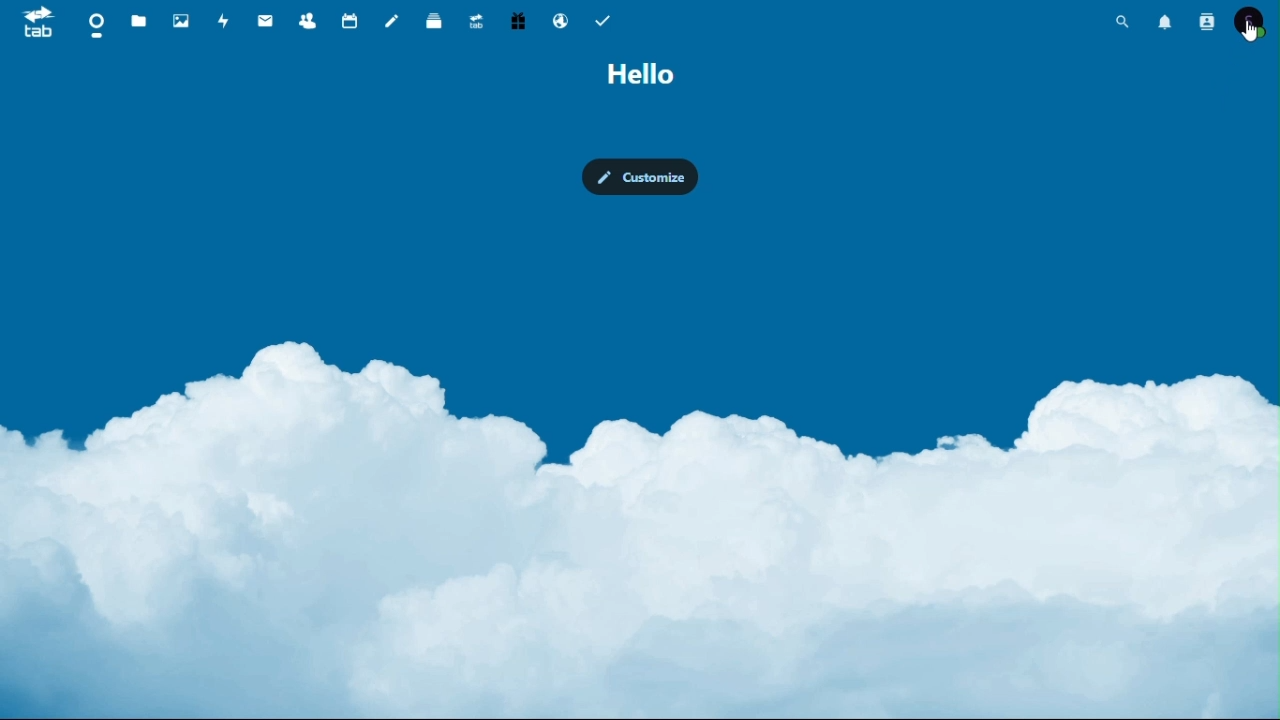 The image size is (1280, 720). Describe the element at coordinates (476, 18) in the screenshot. I see `Upgrade` at that location.